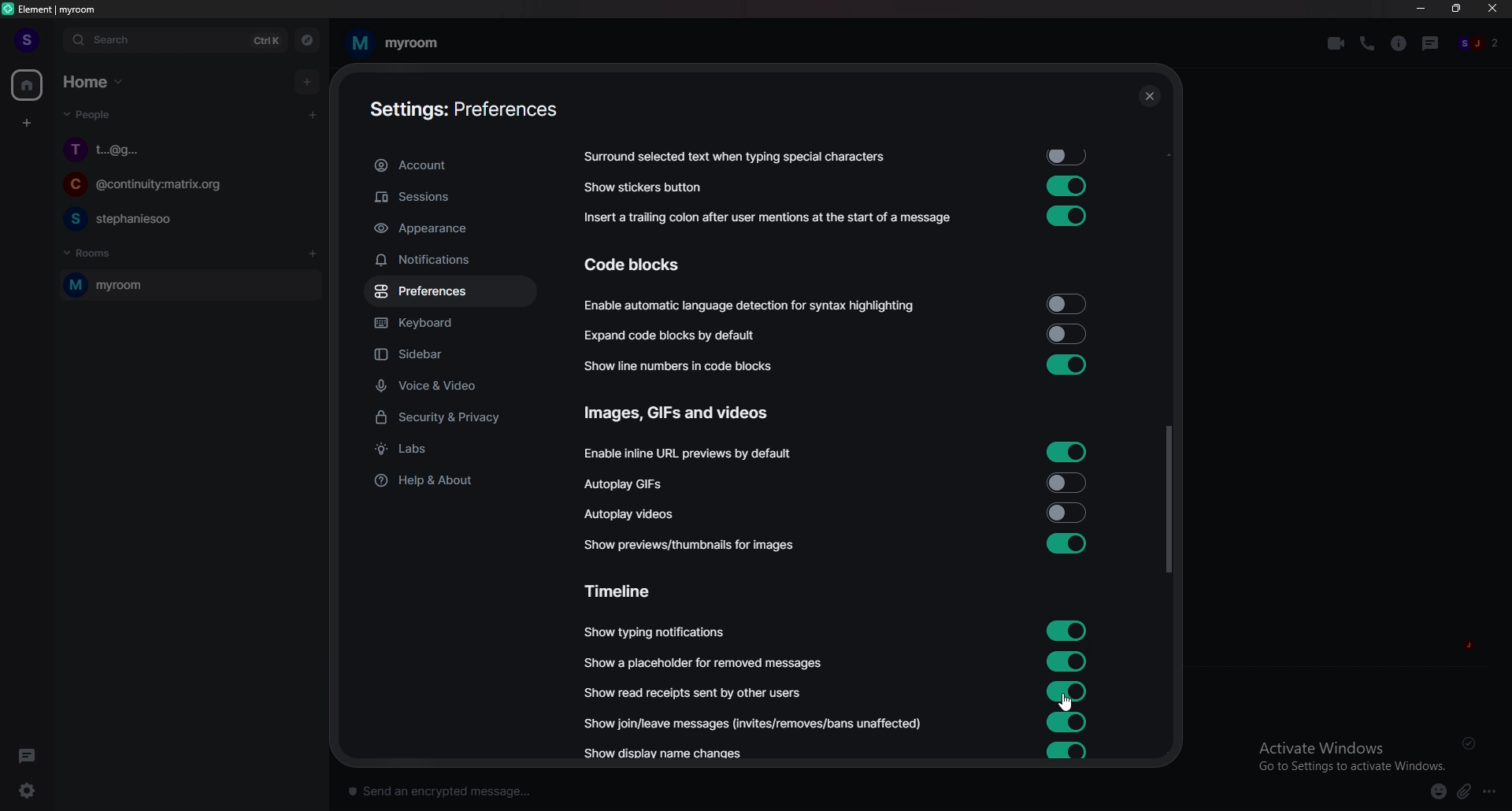 The image size is (1512, 811). What do you see at coordinates (757, 722) in the screenshot?
I see `show join/leave messages` at bounding box center [757, 722].